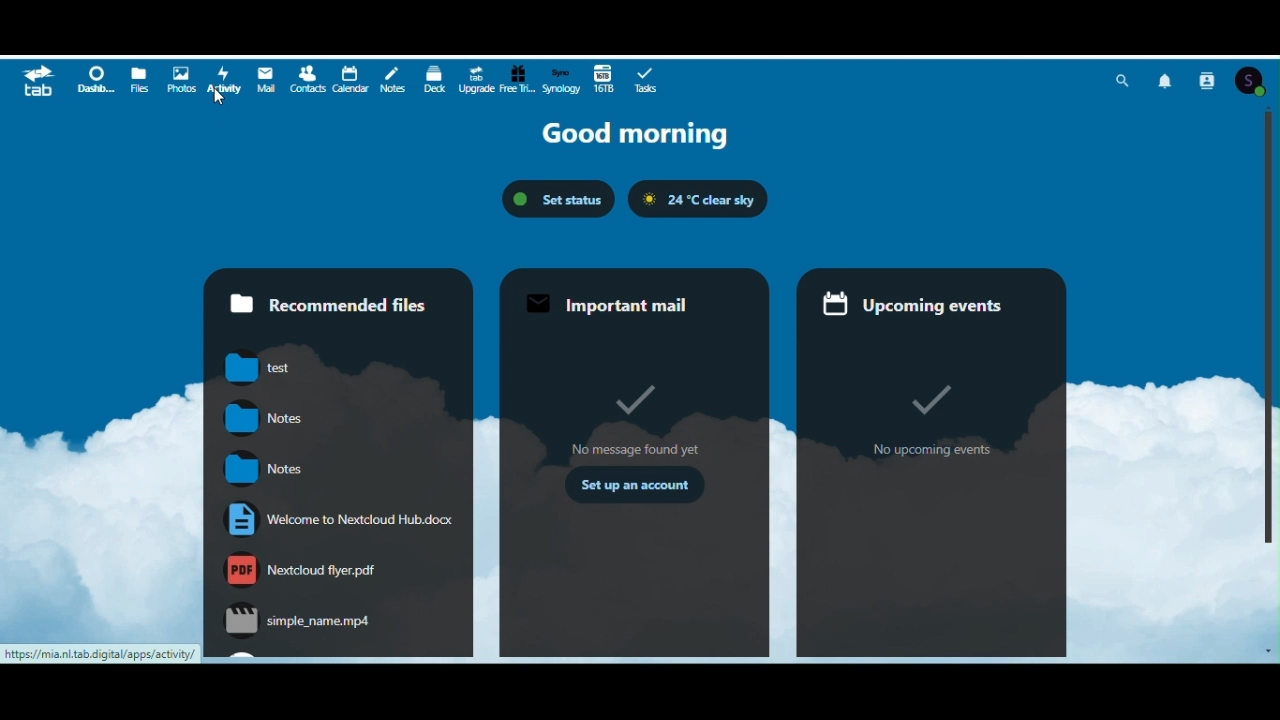 The image size is (1280, 720). Describe the element at coordinates (603, 80) in the screenshot. I see `16 terabytes` at that location.